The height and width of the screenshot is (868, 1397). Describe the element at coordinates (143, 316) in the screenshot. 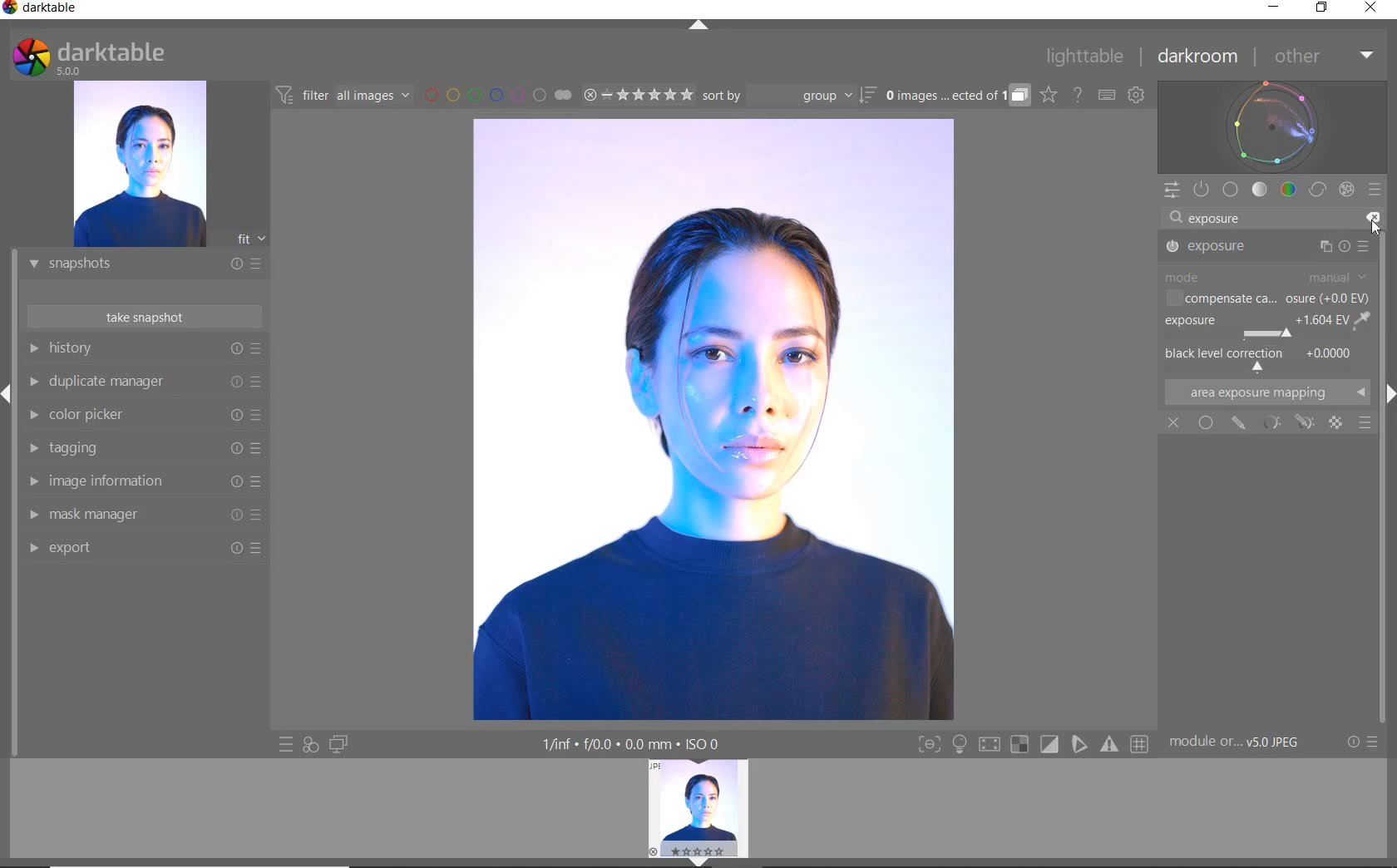

I see `TAKE SNAPSHOT` at that location.